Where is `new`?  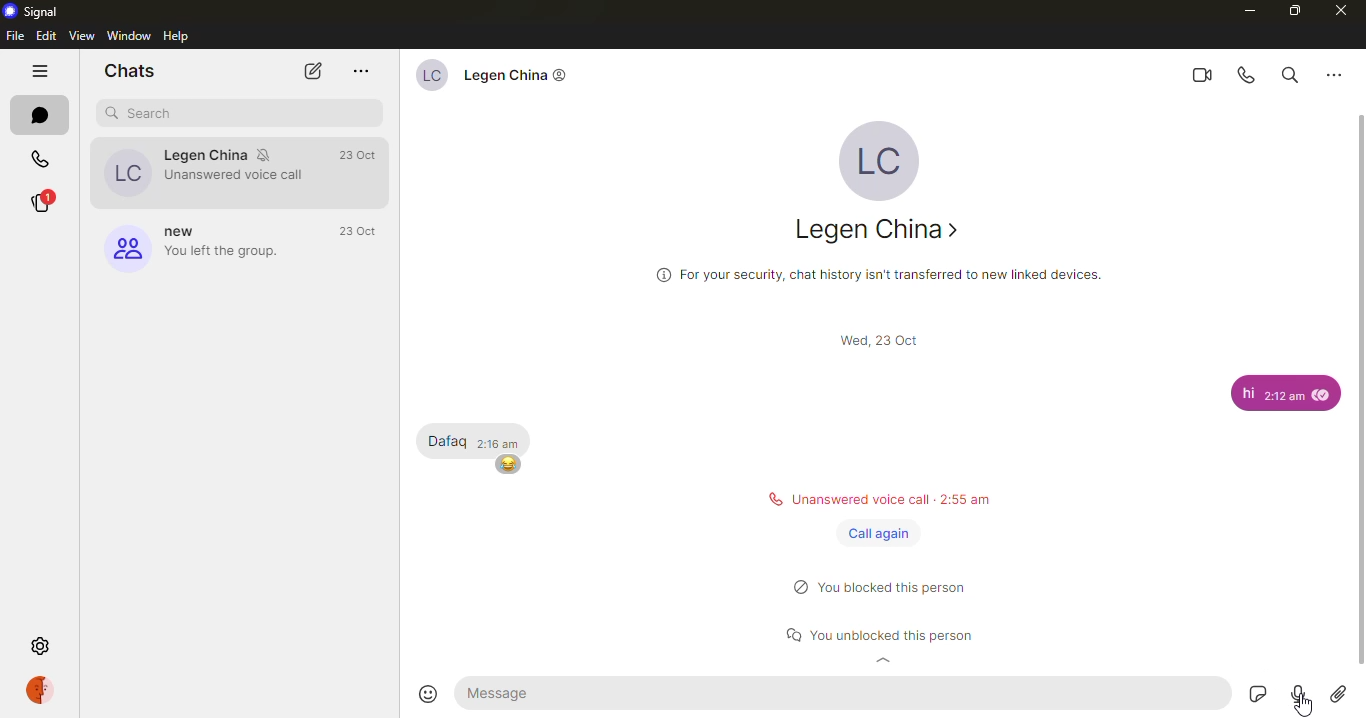 new is located at coordinates (185, 231).